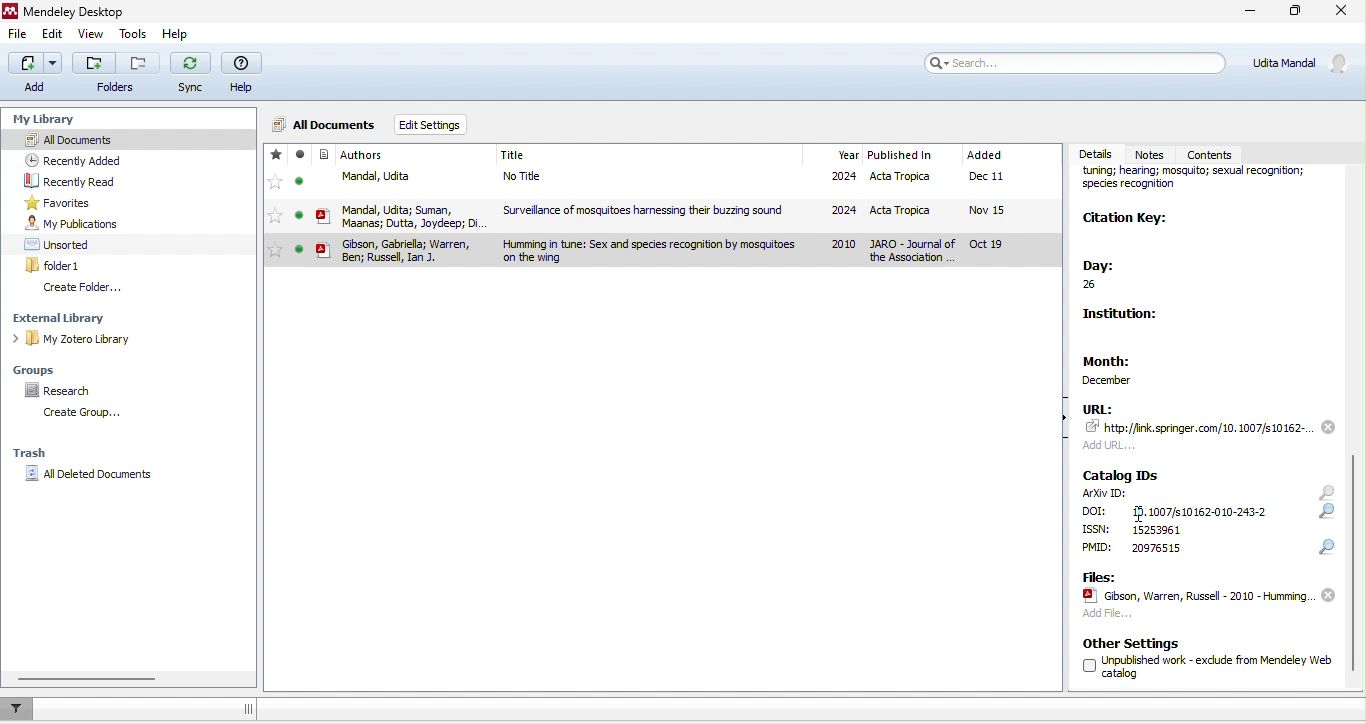 Image resolution: width=1366 pixels, height=724 pixels. What do you see at coordinates (55, 35) in the screenshot?
I see `edit` at bounding box center [55, 35].